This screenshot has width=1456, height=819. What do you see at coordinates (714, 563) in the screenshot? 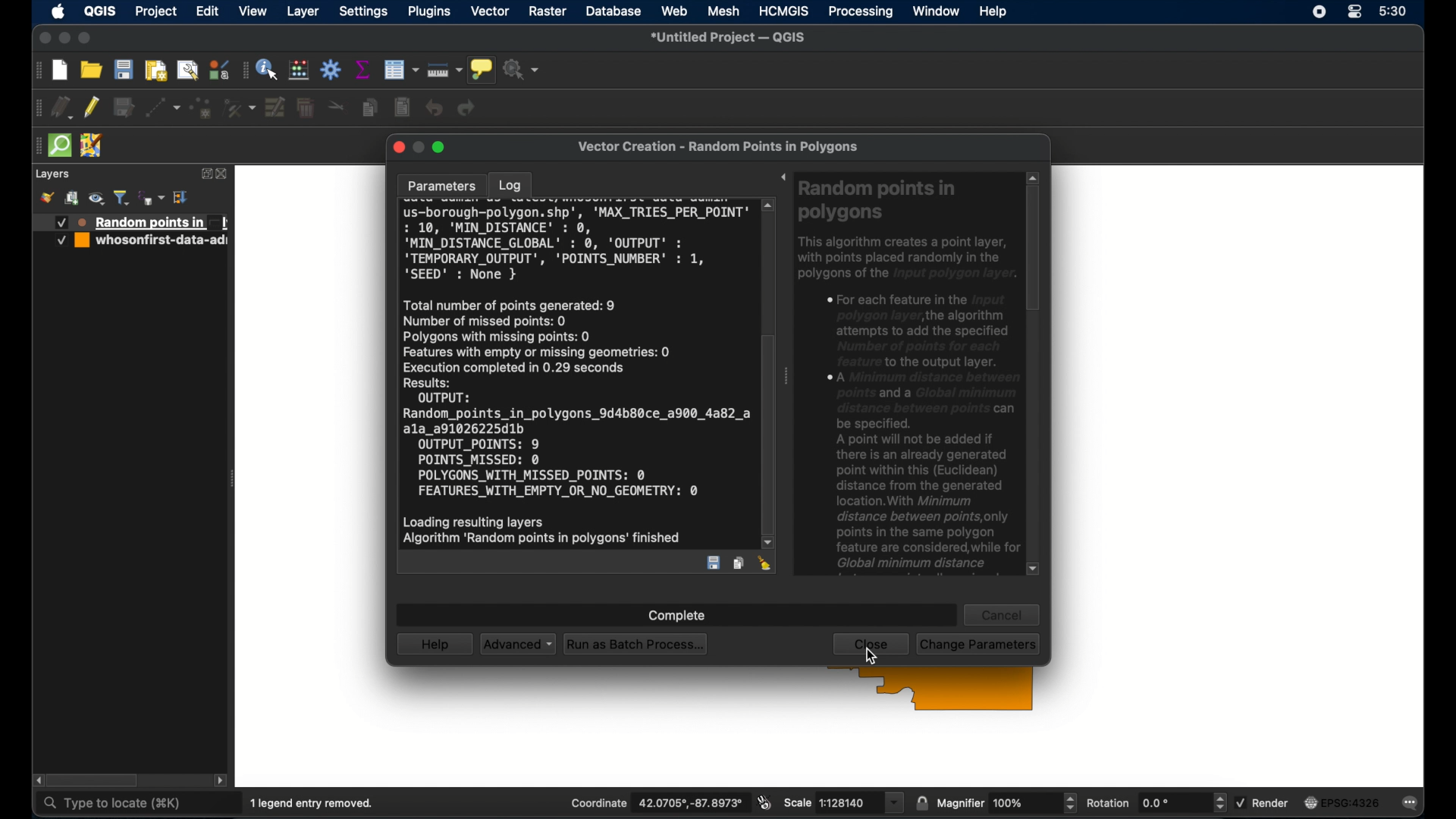
I see `save log entry` at bounding box center [714, 563].